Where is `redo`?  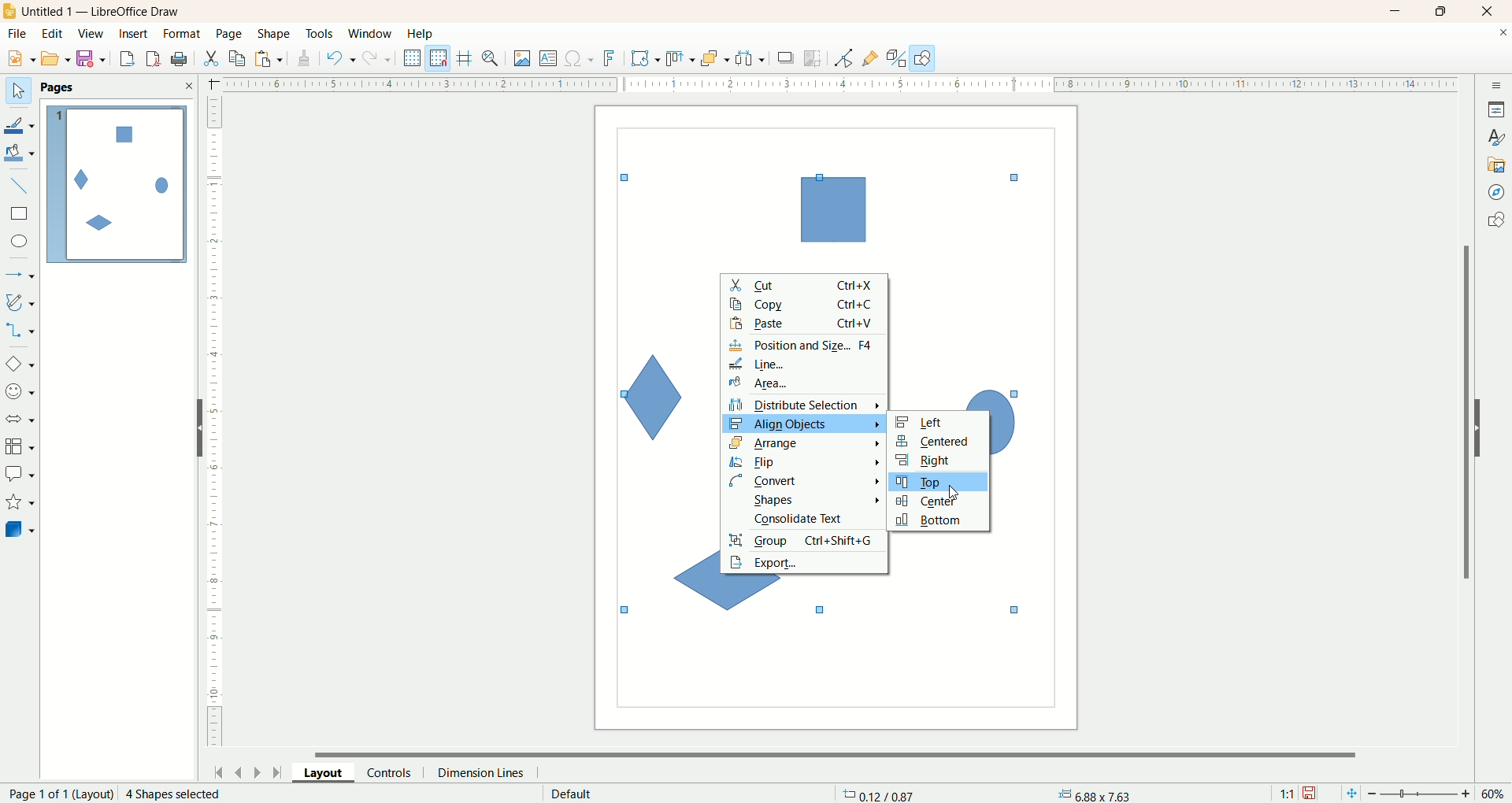 redo is located at coordinates (380, 57).